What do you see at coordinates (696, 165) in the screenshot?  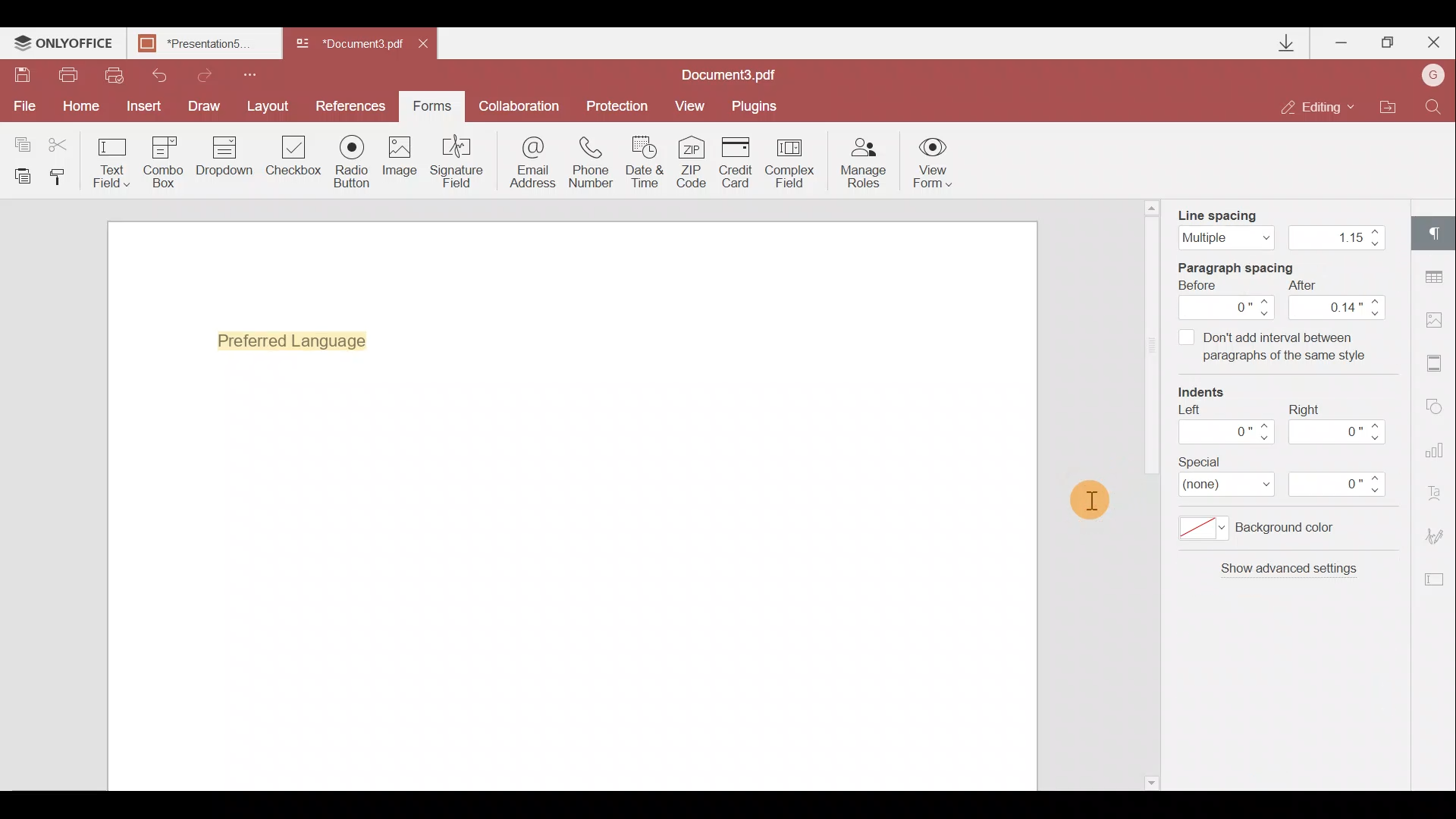 I see `ZIP code` at bounding box center [696, 165].